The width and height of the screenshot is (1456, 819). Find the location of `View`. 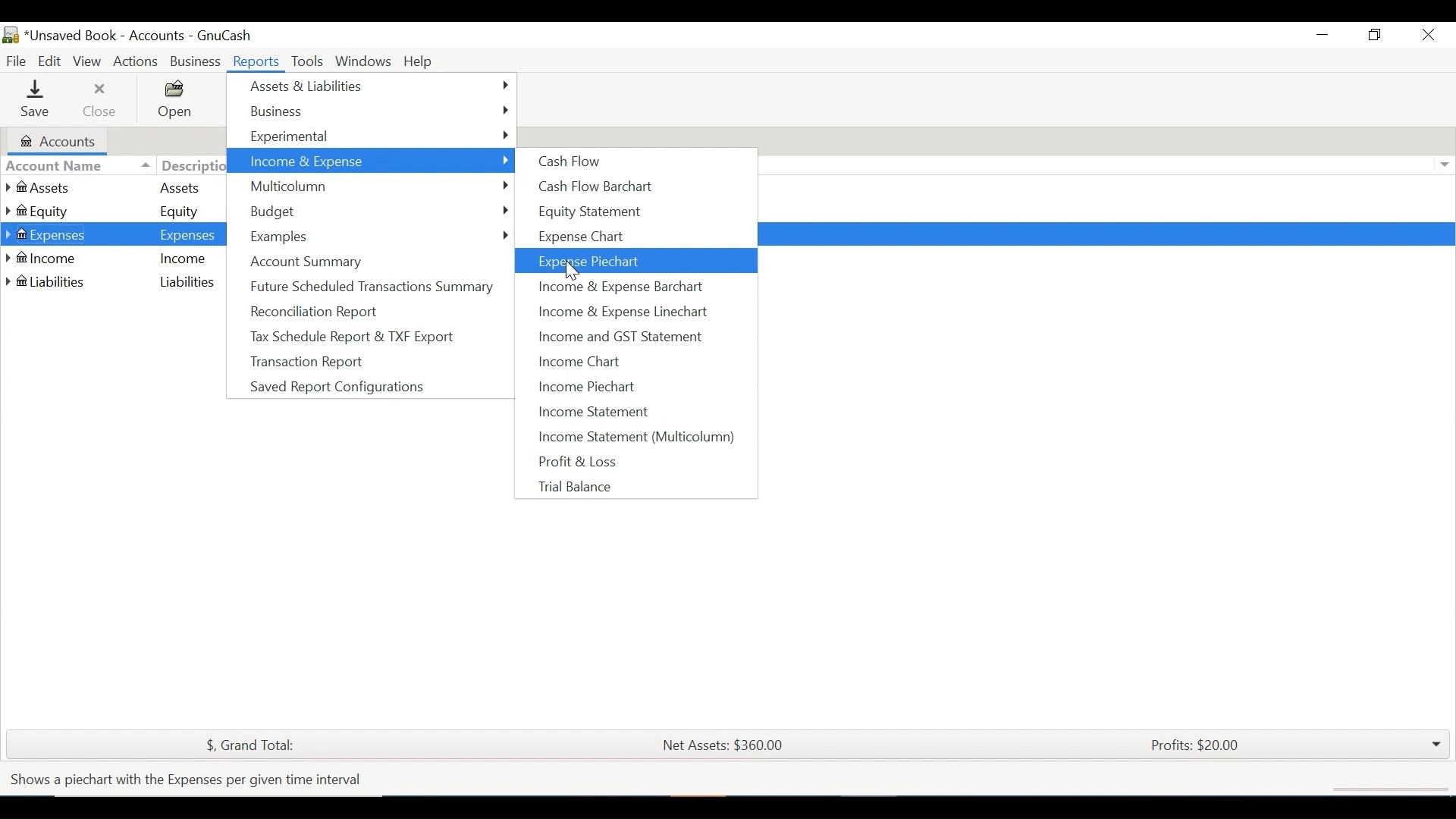

View is located at coordinates (88, 58).